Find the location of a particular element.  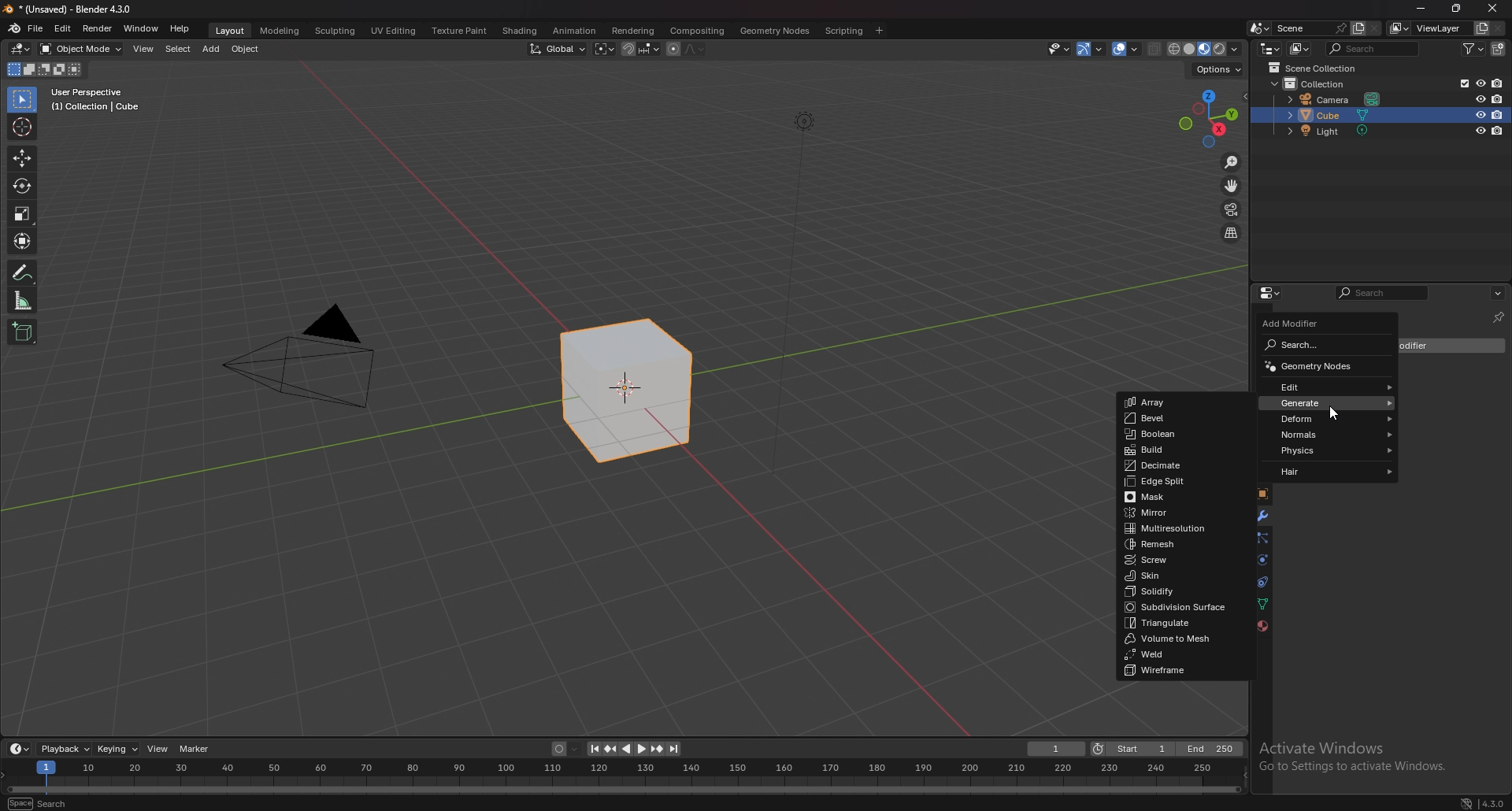

modifier is located at coordinates (1261, 517).